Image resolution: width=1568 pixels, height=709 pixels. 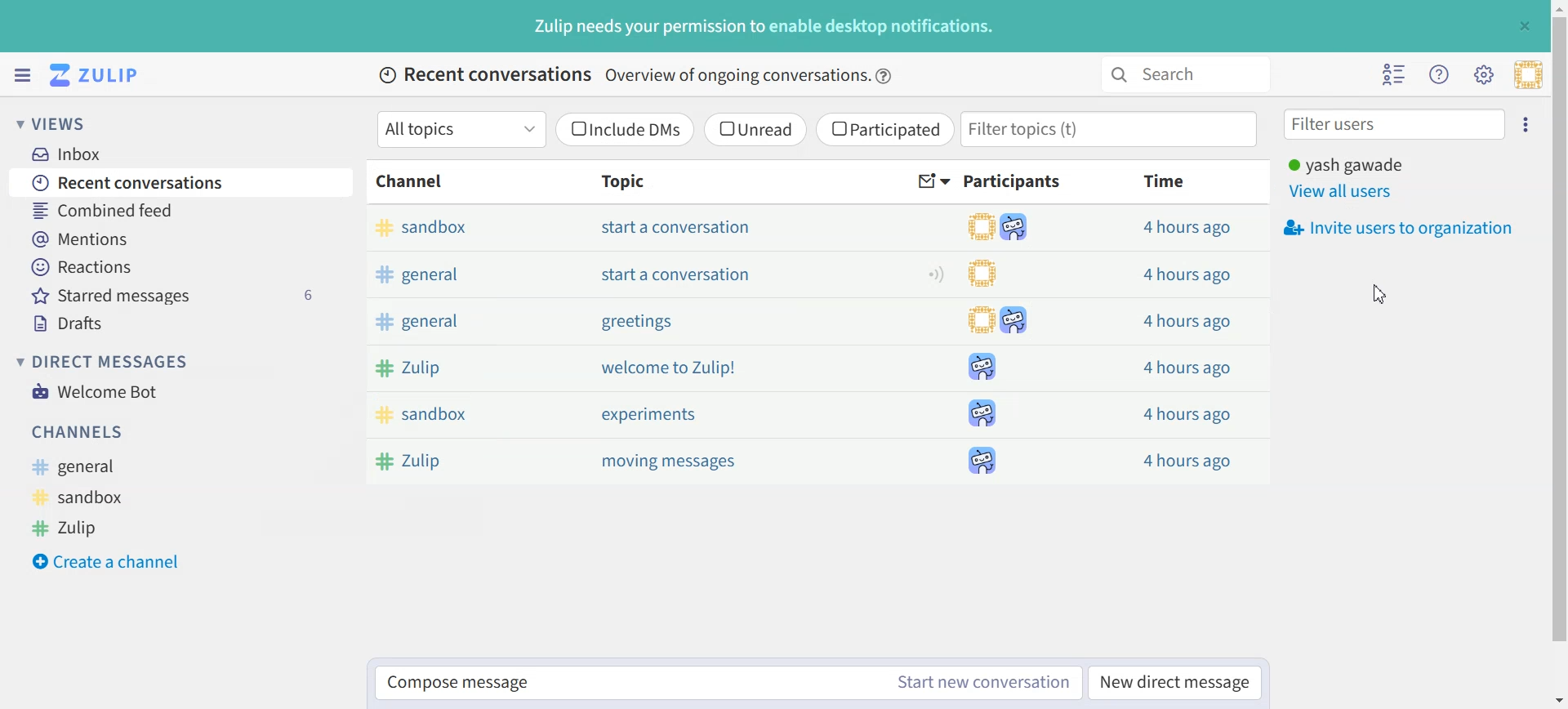 I want to click on 4 hours ago, so click(x=1188, y=228).